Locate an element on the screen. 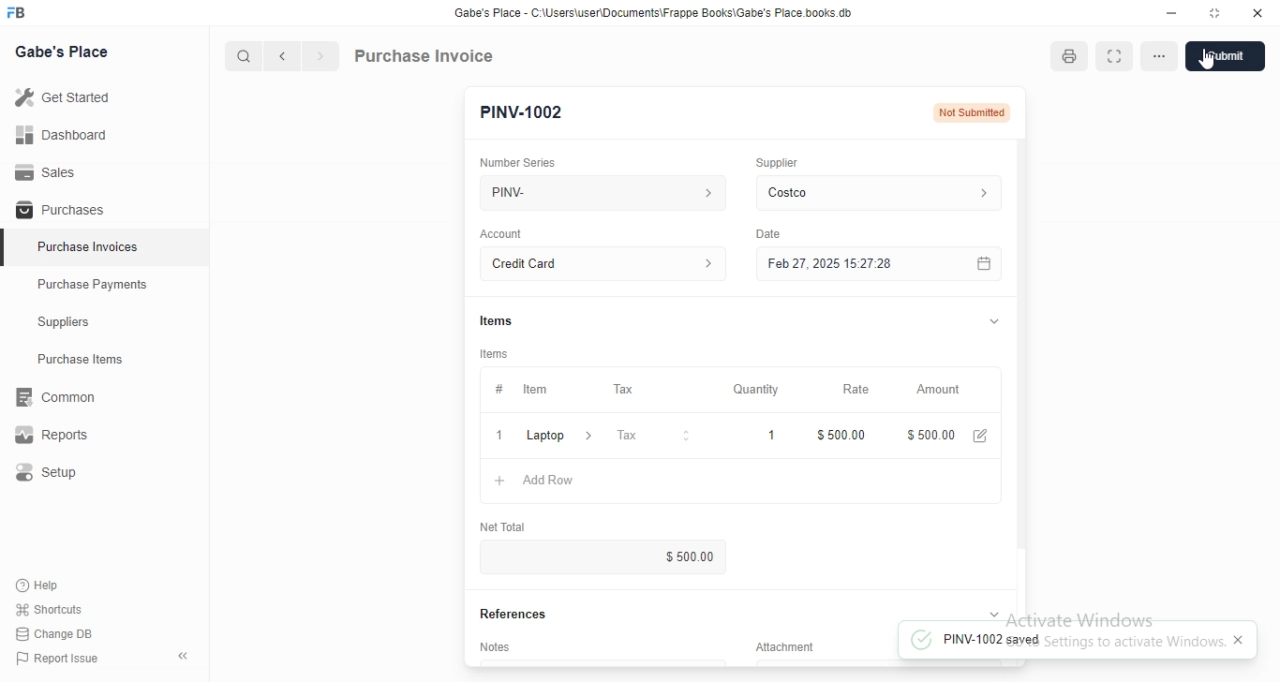 Image resolution: width=1280 pixels, height=682 pixels. Minimize is located at coordinates (1171, 13).